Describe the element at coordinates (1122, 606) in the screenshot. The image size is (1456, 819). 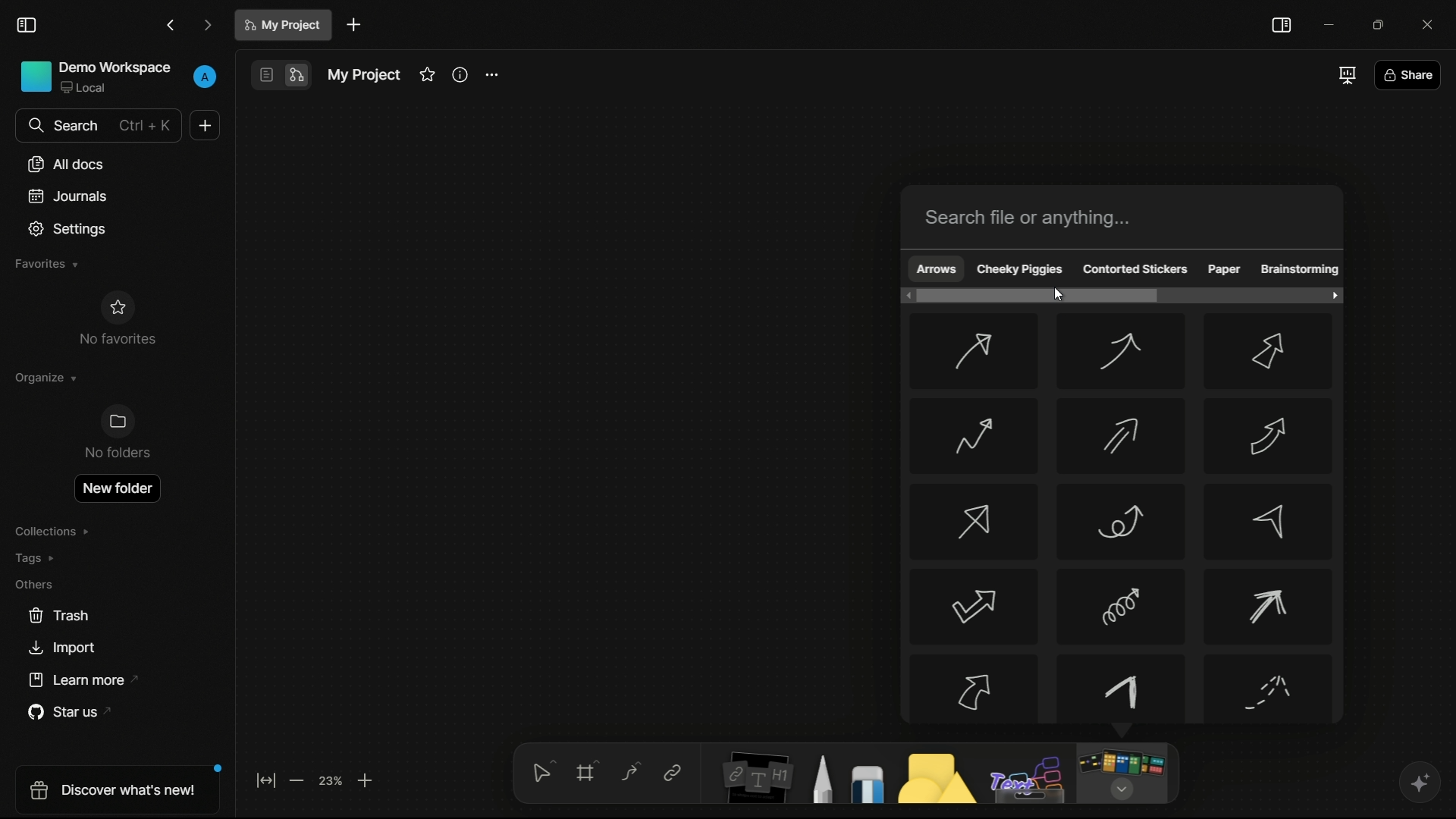
I see `arrow-11` at that location.